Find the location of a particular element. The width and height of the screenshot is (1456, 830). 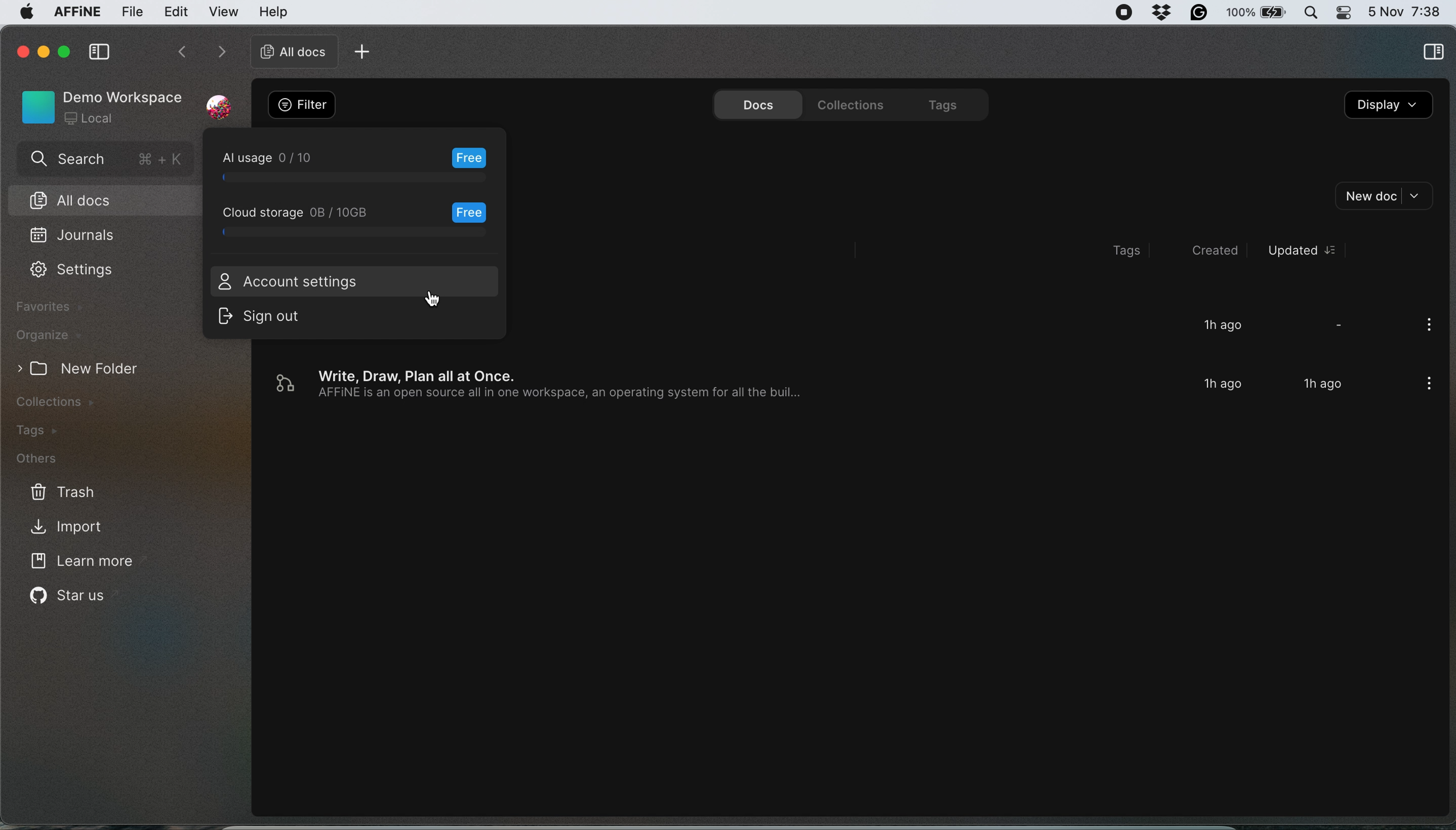

settings is located at coordinates (72, 272).